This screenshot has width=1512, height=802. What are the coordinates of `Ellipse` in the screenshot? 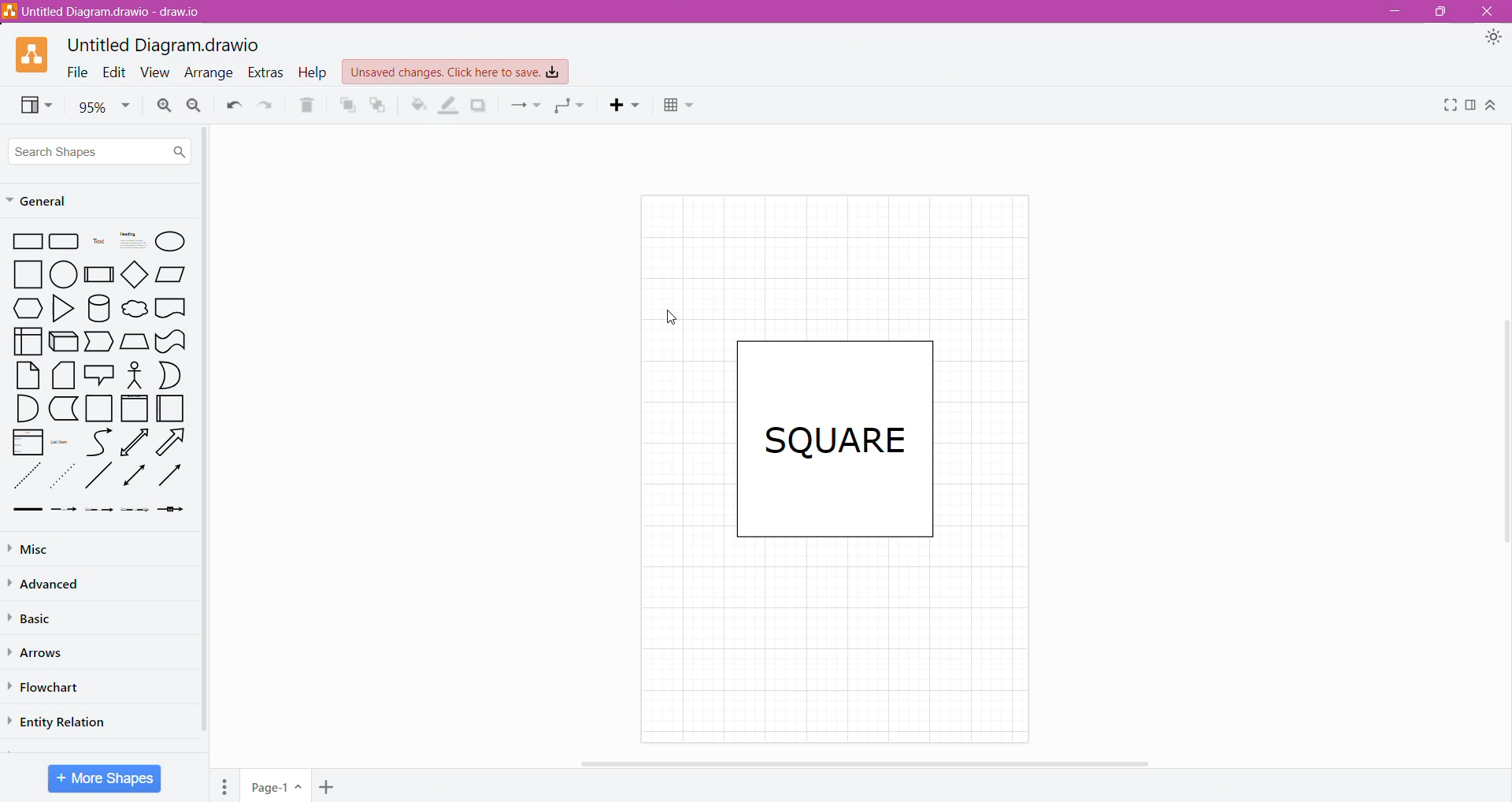 It's located at (172, 242).